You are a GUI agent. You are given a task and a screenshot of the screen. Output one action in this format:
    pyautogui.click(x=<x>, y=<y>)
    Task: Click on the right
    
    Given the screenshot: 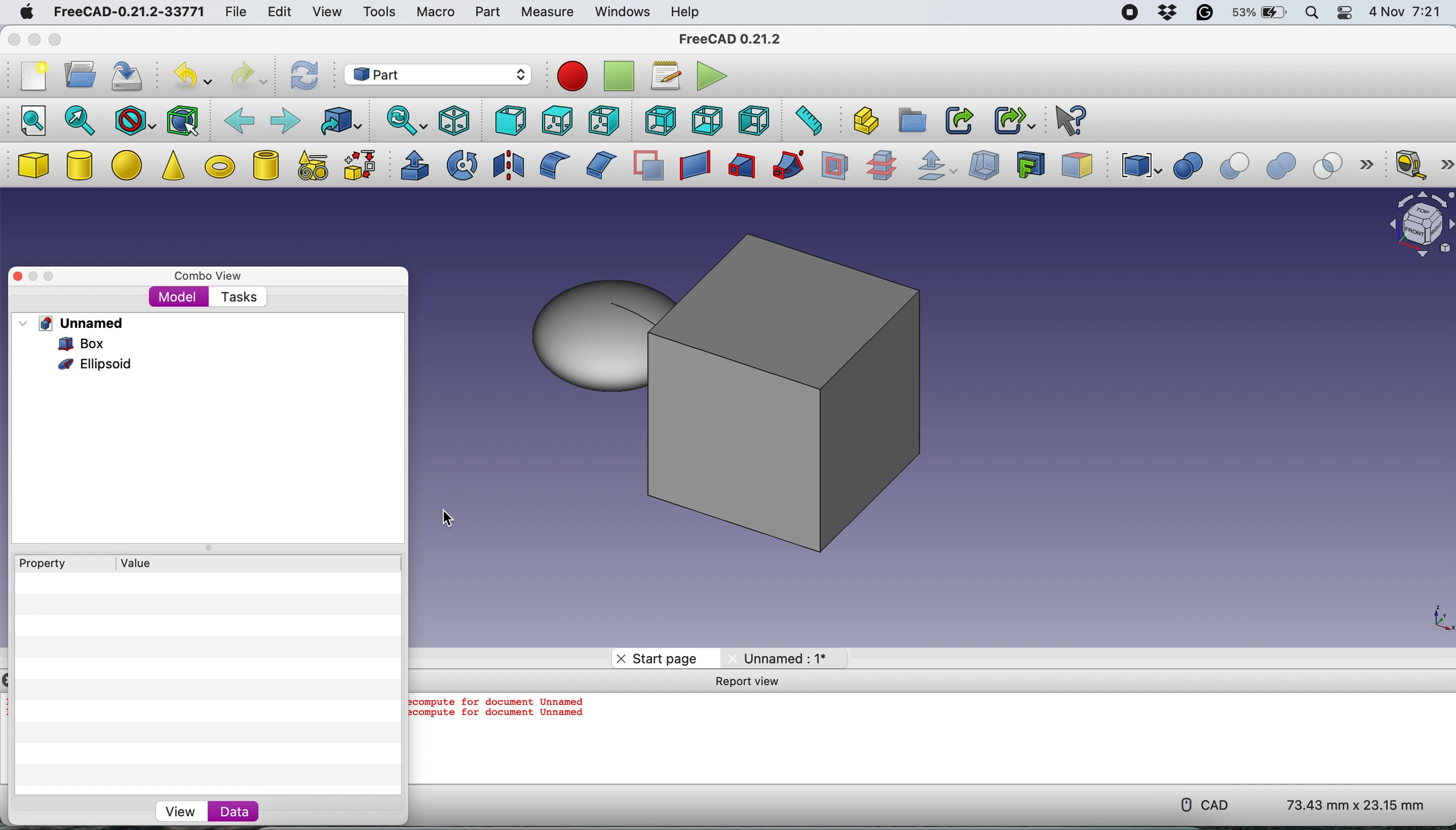 What is the action you would take?
    pyautogui.click(x=602, y=122)
    